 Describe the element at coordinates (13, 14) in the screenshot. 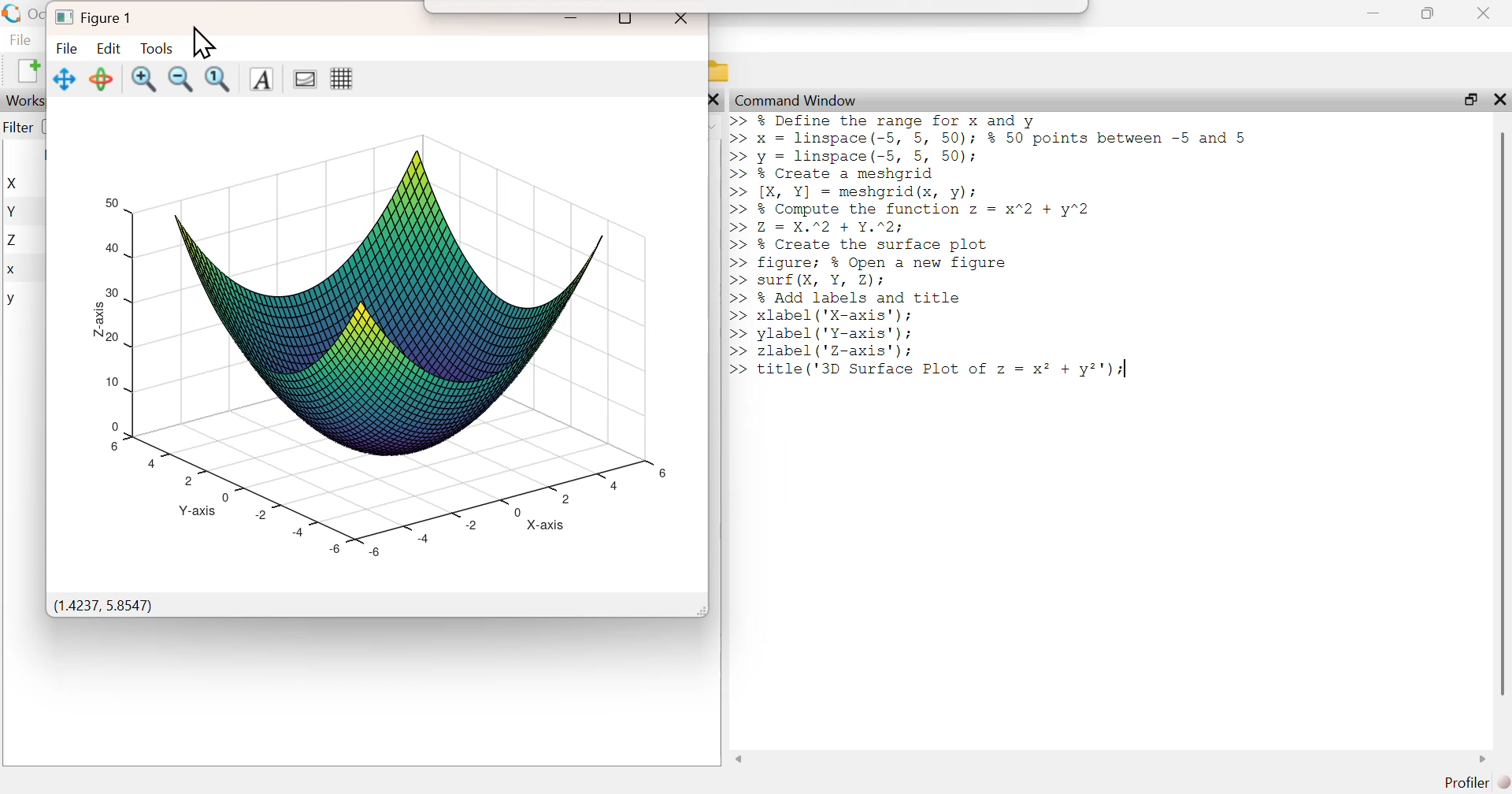

I see `Logo` at that location.